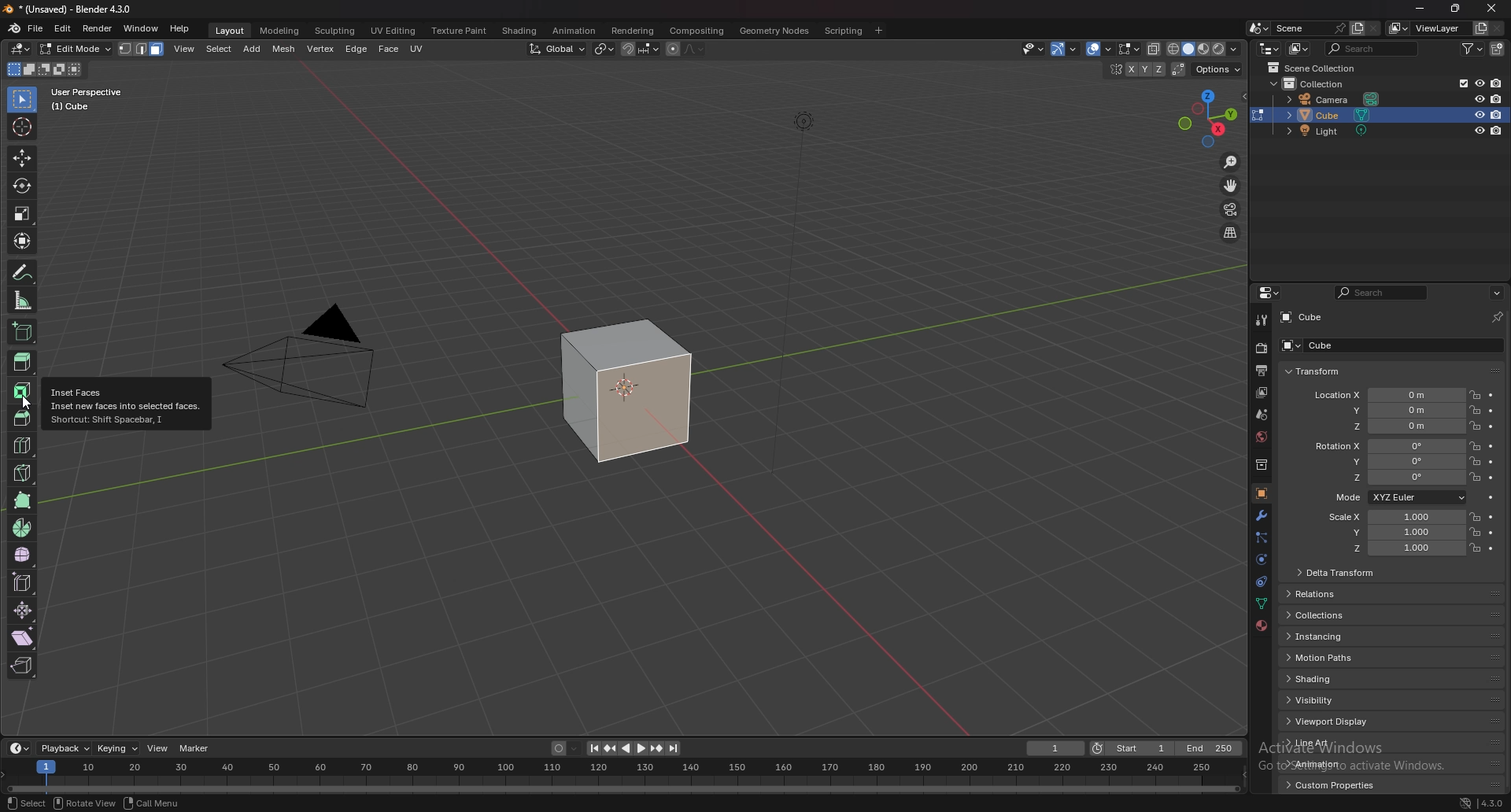 This screenshot has height=812, width=1511. What do you see at coordinates (610, 749) in the screenshot?
I see `jump to keyframe` at bounding box center [610, 749].